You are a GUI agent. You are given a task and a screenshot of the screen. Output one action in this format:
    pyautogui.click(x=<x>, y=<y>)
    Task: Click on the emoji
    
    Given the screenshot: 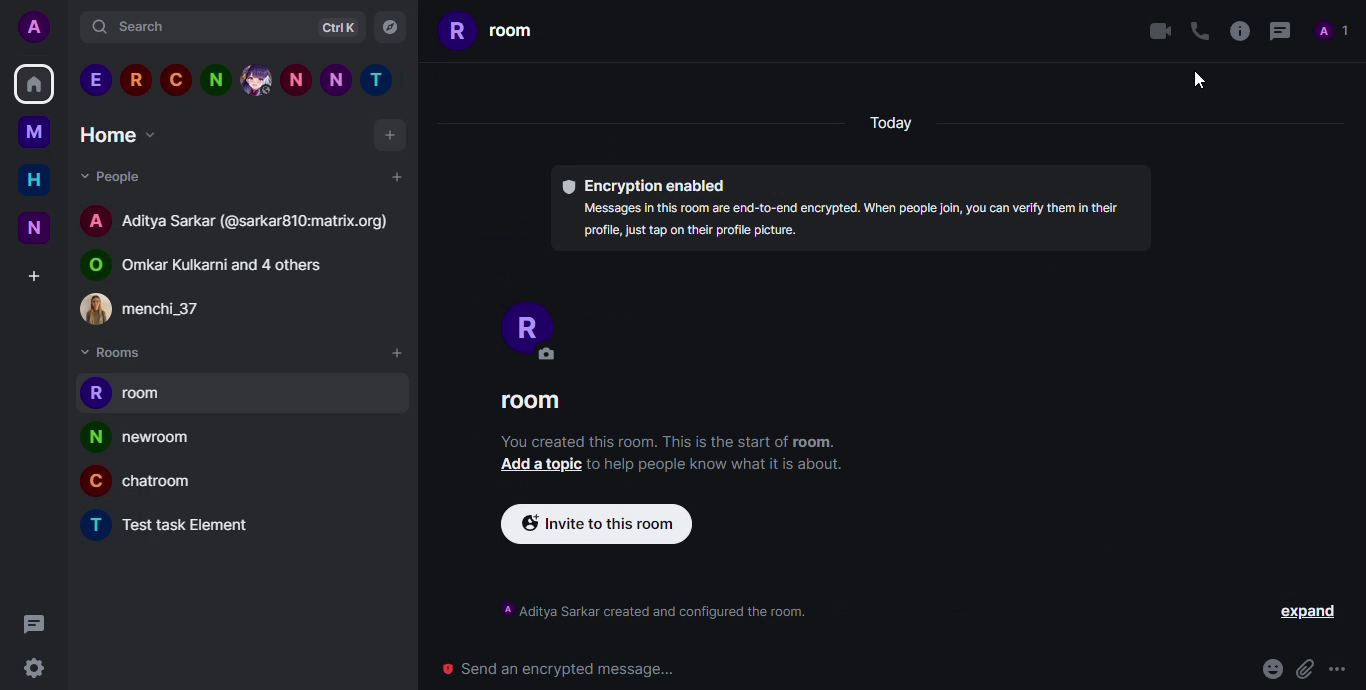 What is the action you would take?
    pyautogui.click(x=1271, y=669)
    